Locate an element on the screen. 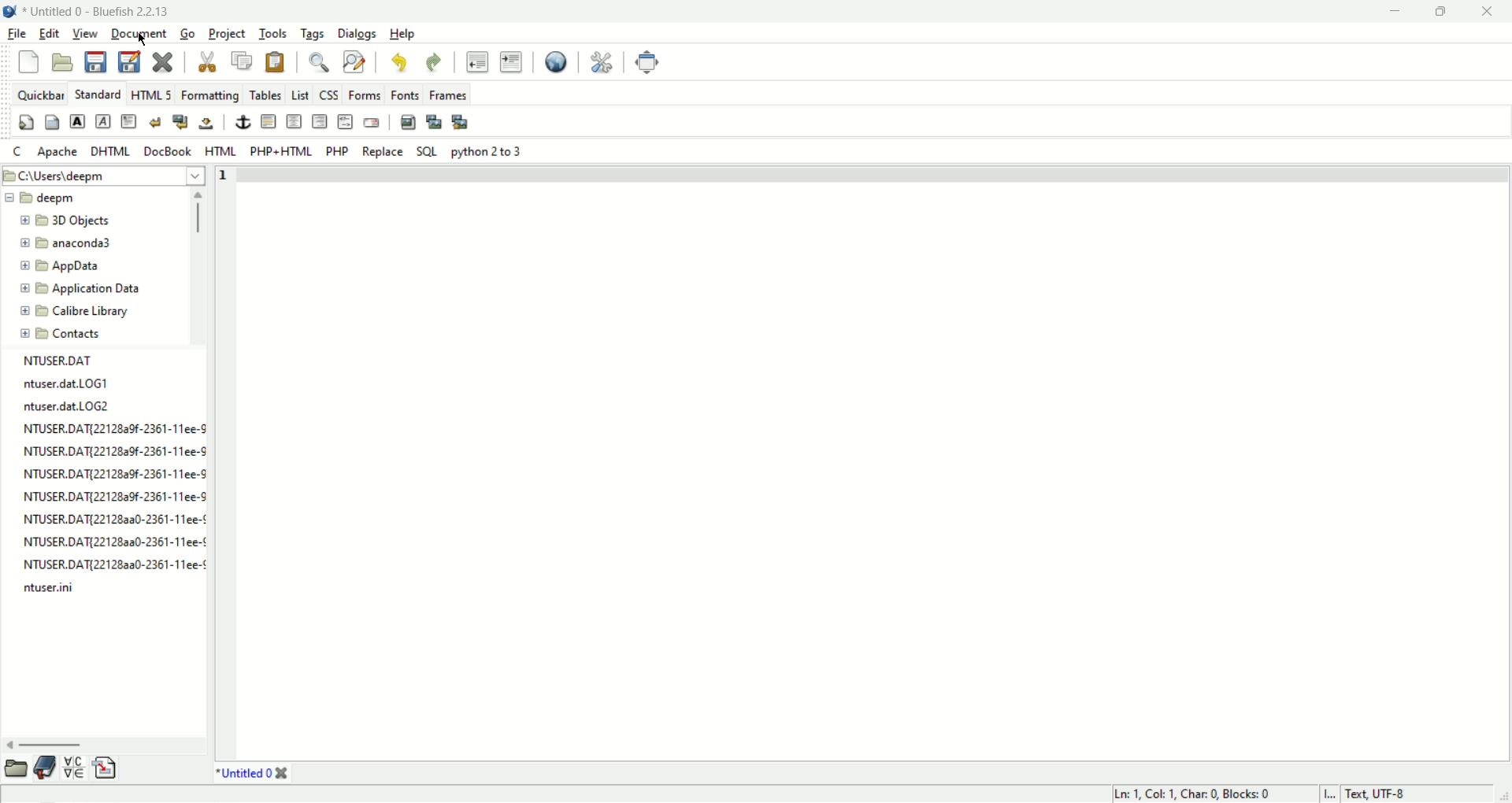 The height and width of the screenshot is (803, 1512). copy is located at coordinates (245, 60).